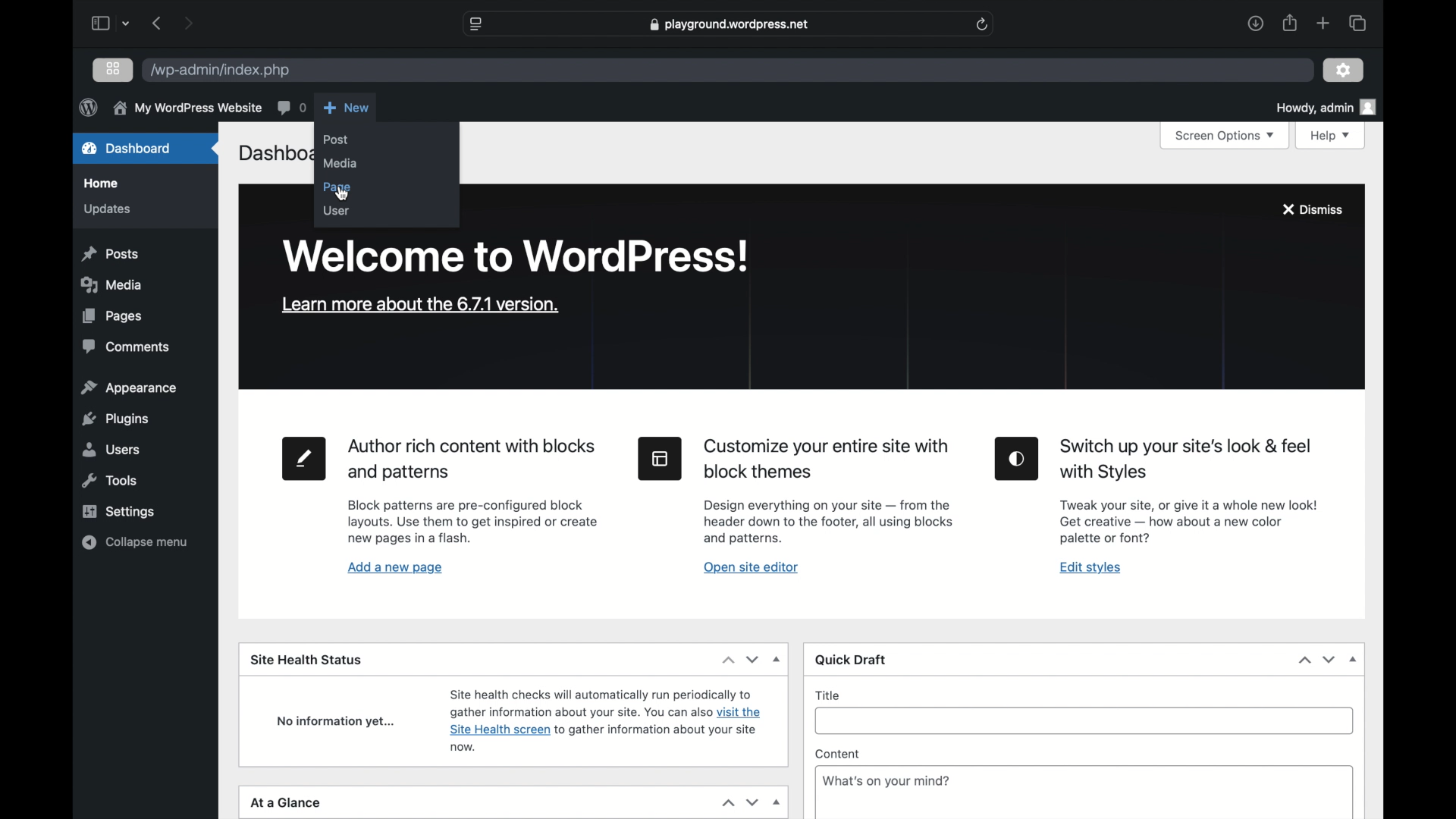  Describe the element at coordinates (751, 568) in the screenshot. I see `open site editor` at that location.